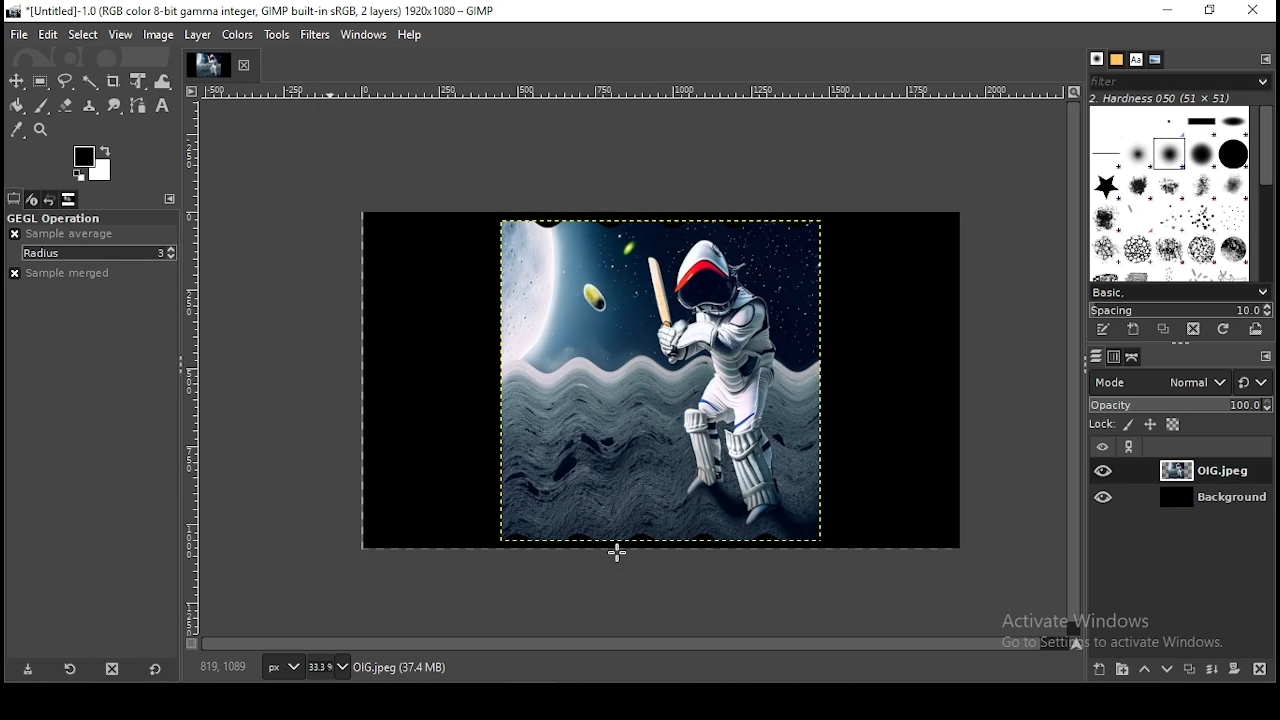 The image size is (1280, 720). I want to click on color picker tool, so click(18, 130).